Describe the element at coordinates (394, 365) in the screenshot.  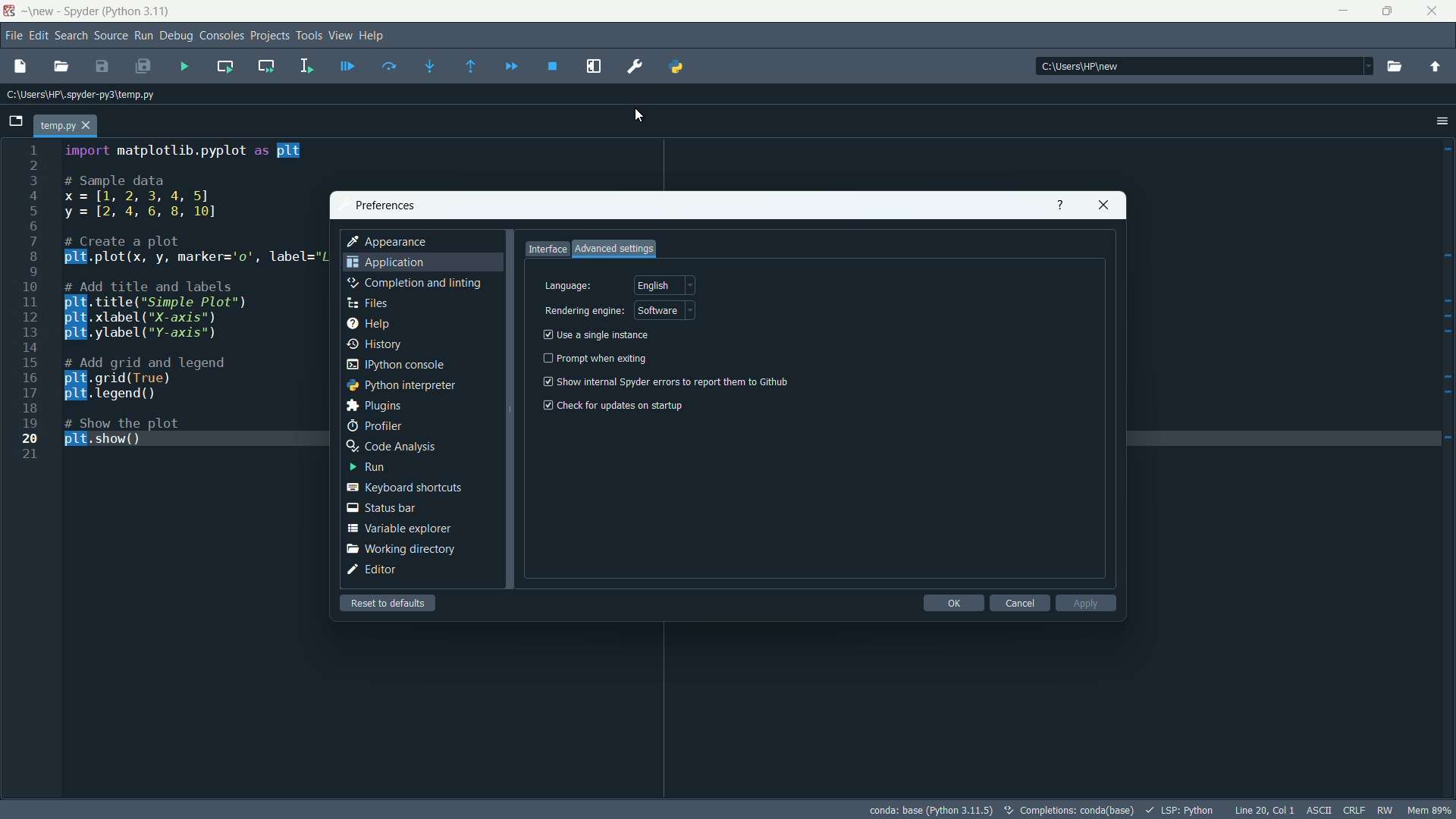
I see `ipython console` at that location.